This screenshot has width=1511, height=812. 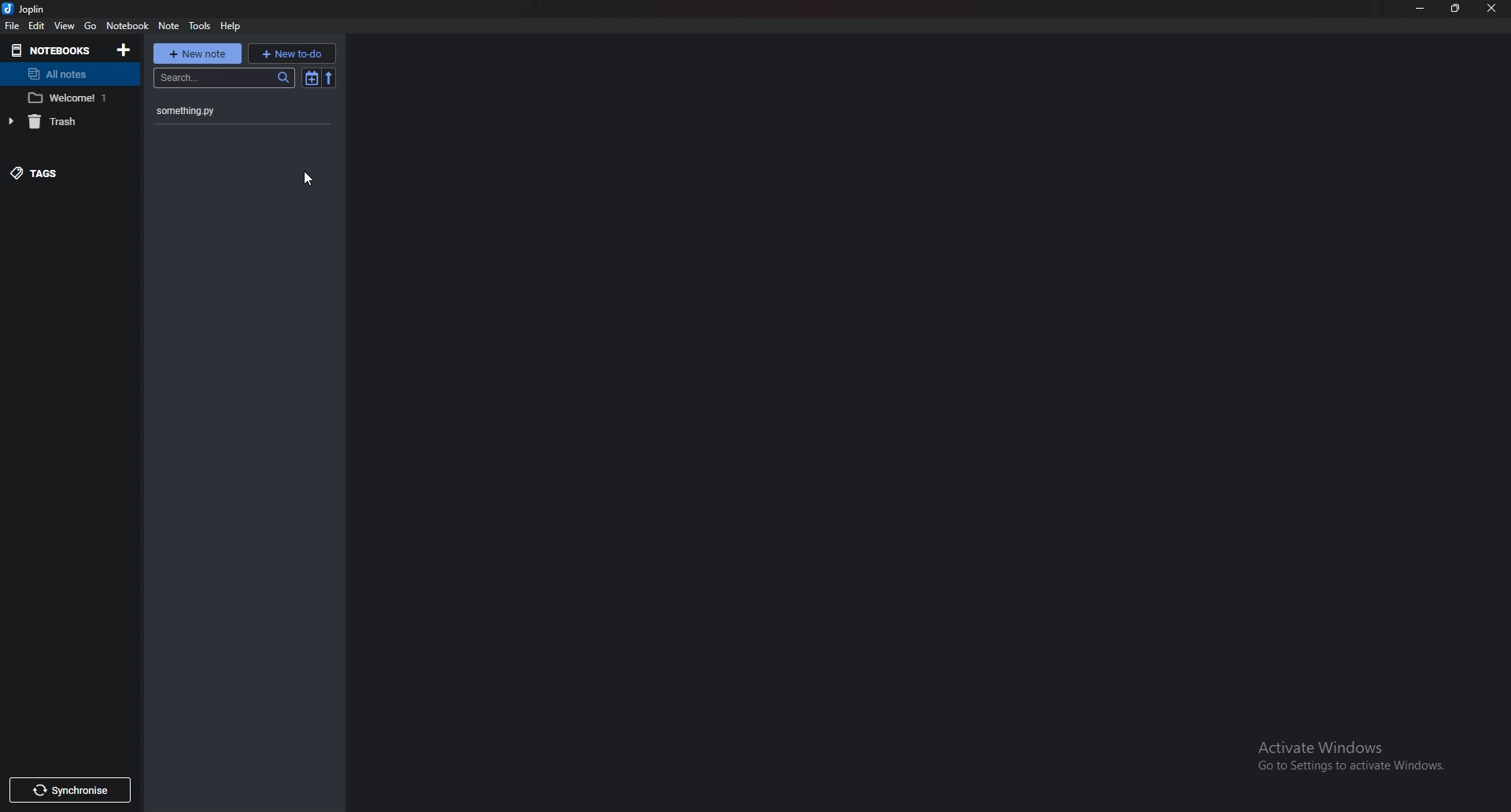 I want to click on Note, so click(x=171, y=26).